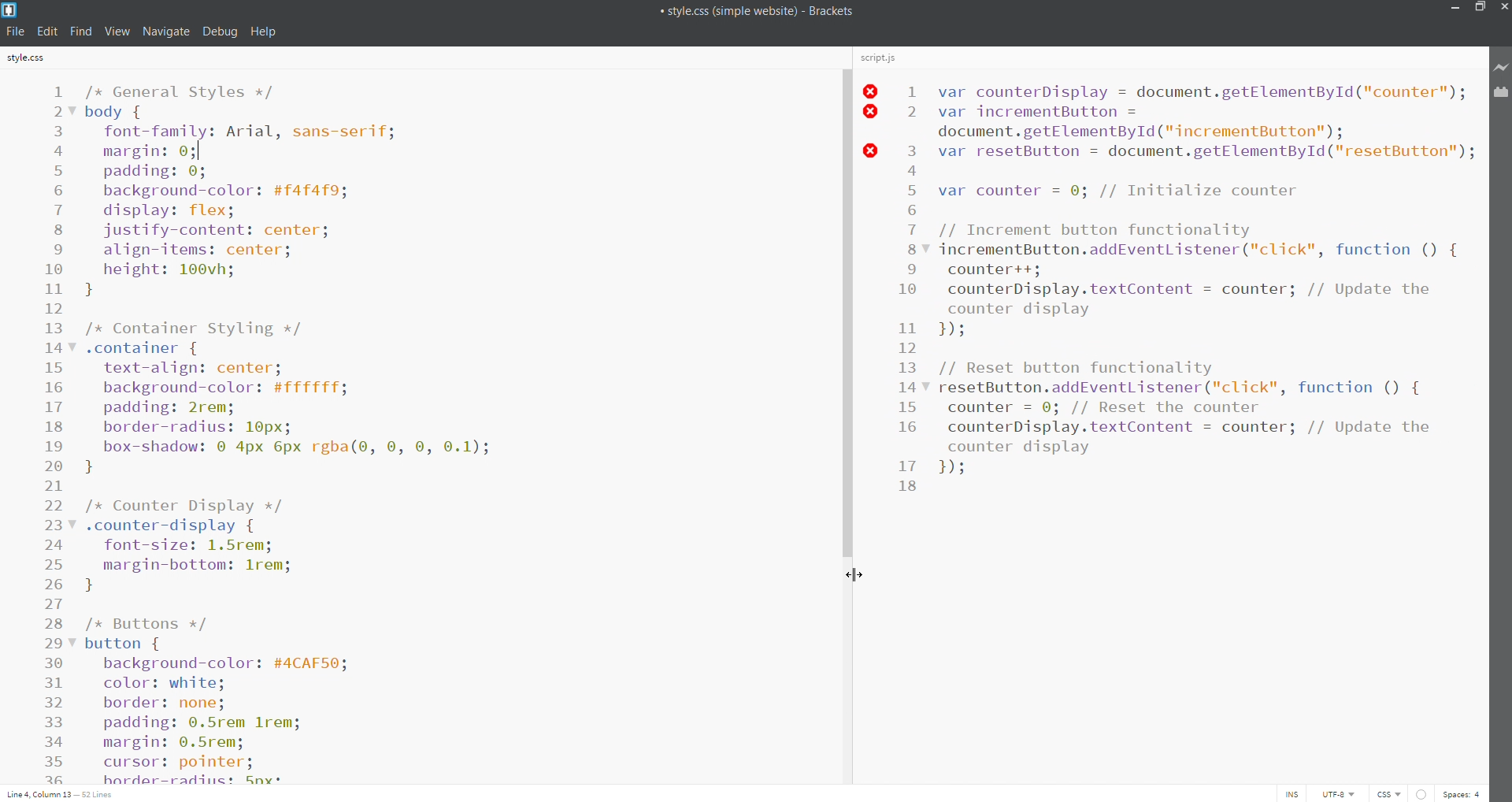 Image resolution: width=1512 pixels, height=802 pixels. I want to click on line number, so click(56, 430).